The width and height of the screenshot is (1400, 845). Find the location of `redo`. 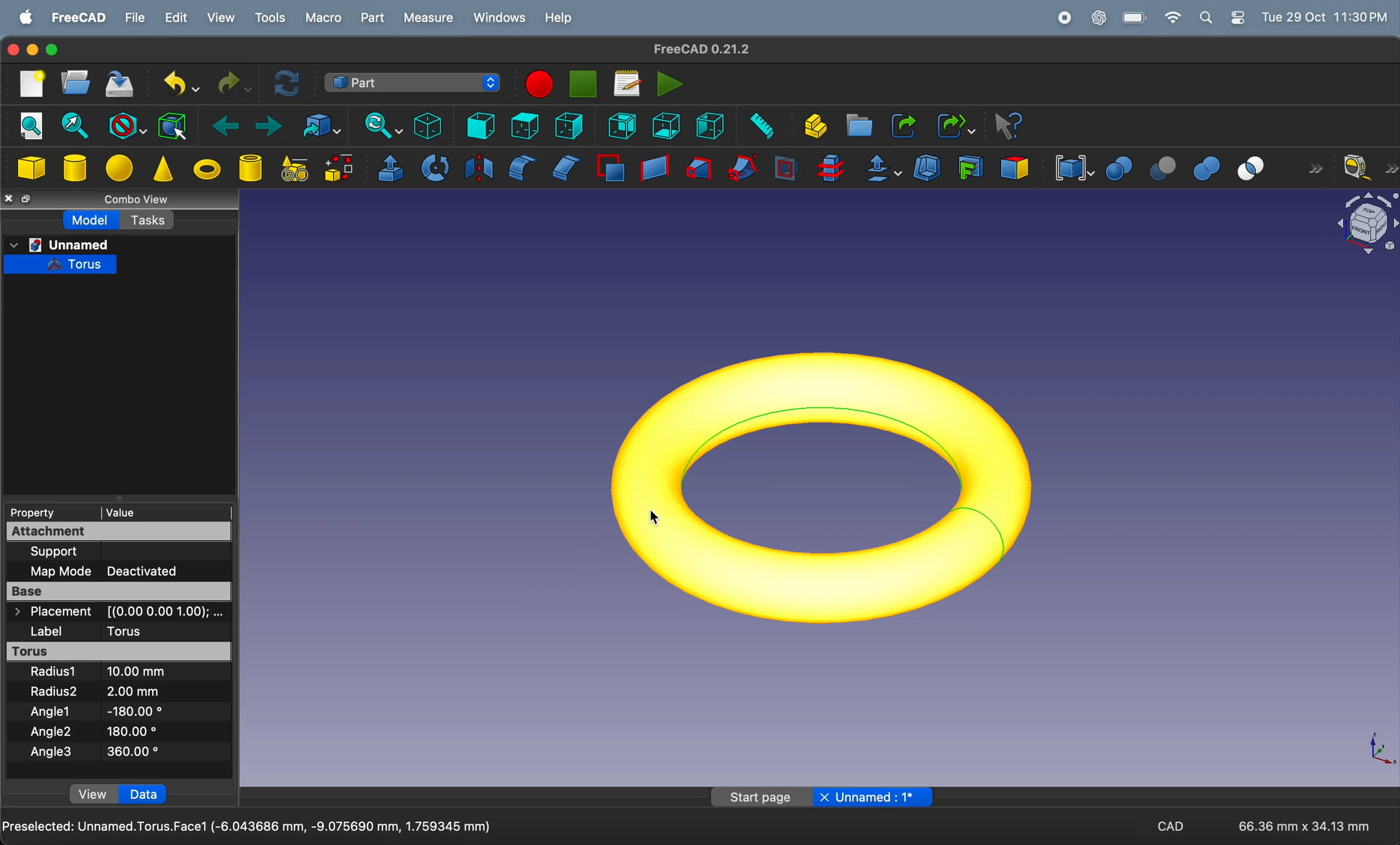

redo is located at coordinates (232, 81).